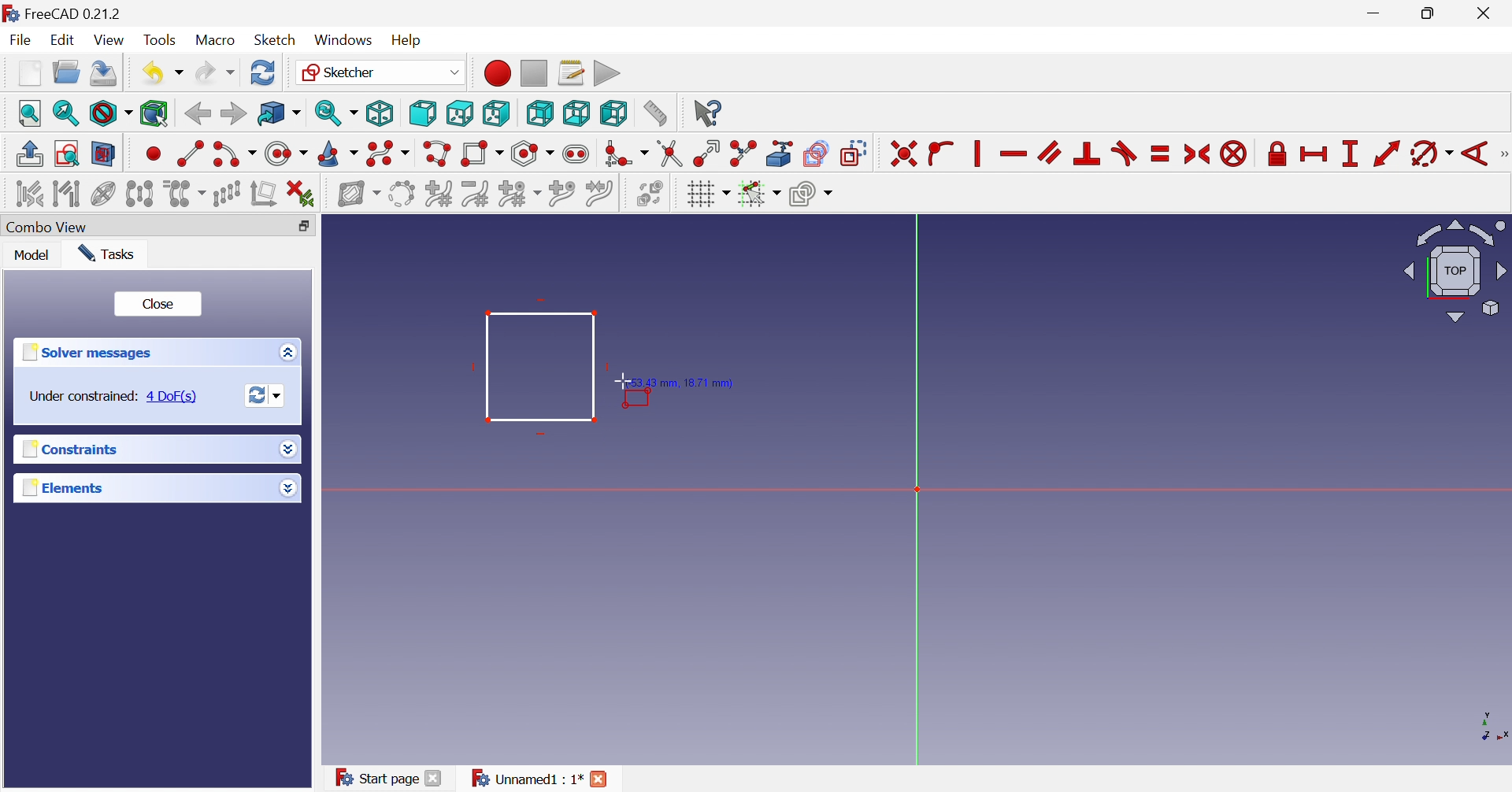 The height and width of the screenshot is (792, 1512). What do you see at coordinates (74, 12) in the screenshot?
I see `Free CAD0.21.2` at bounding box center [74, 12].